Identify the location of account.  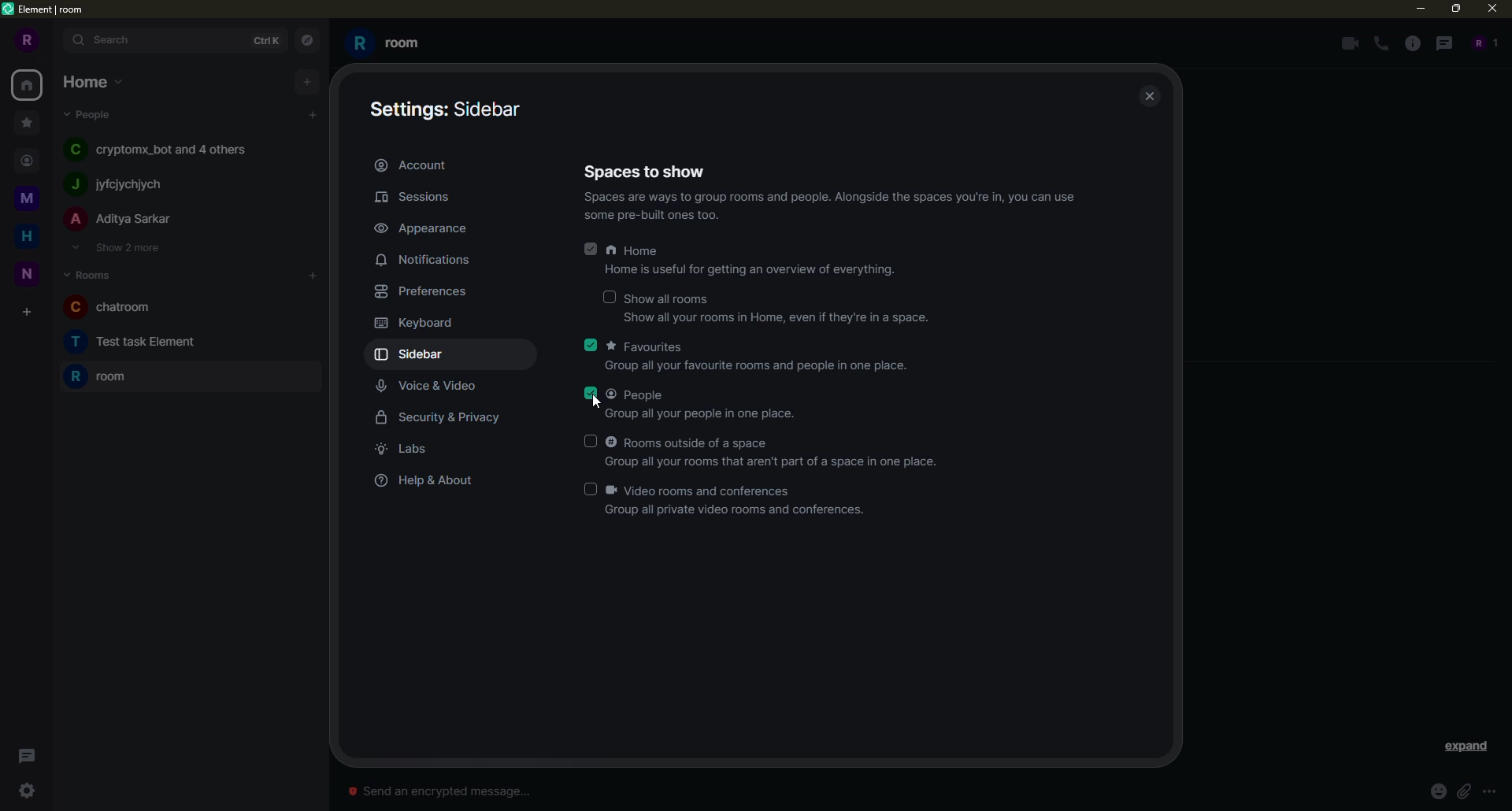
(413, 164).